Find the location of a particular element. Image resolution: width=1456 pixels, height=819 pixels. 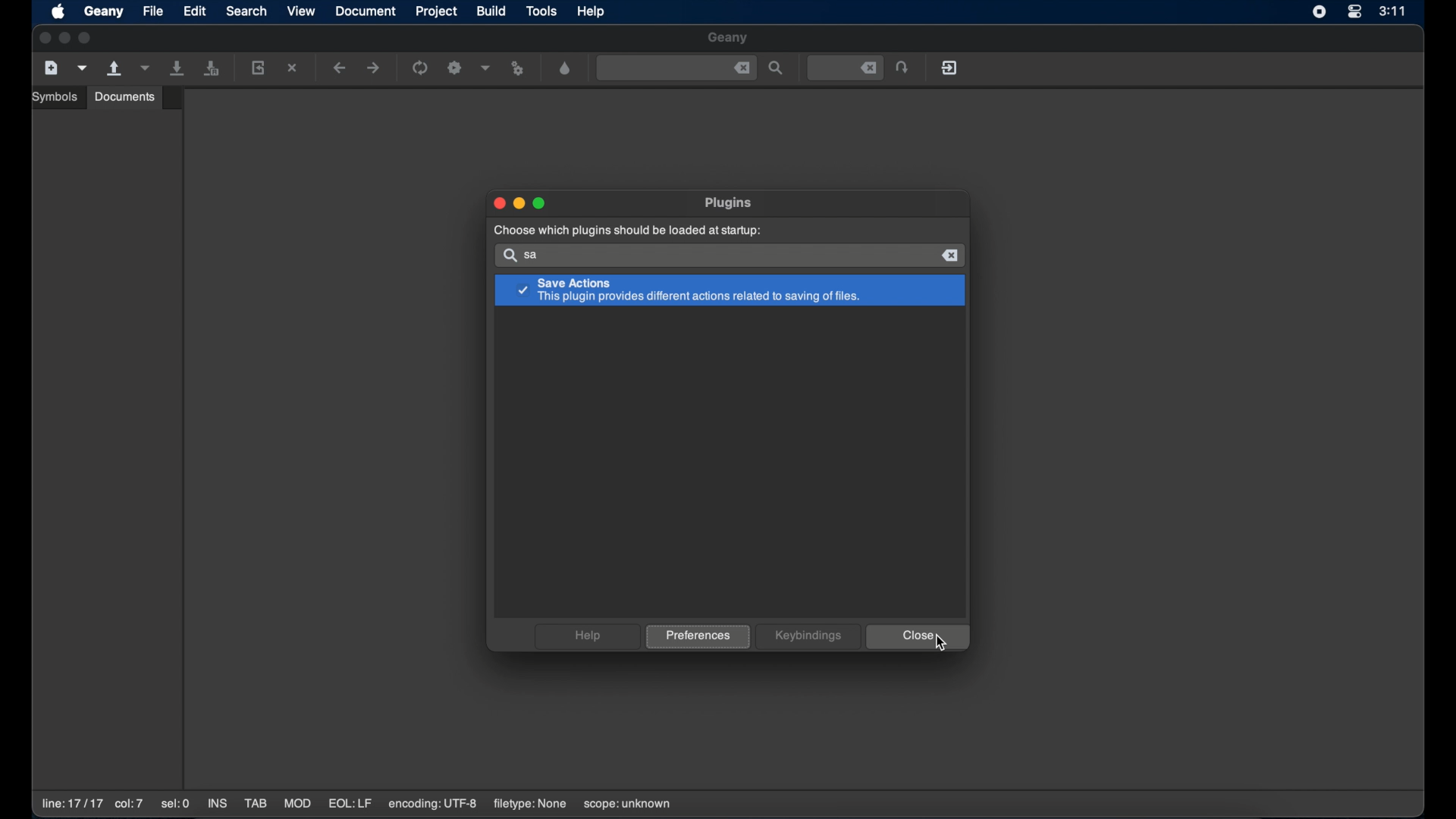

symbols is located at coordinates (57, 97).